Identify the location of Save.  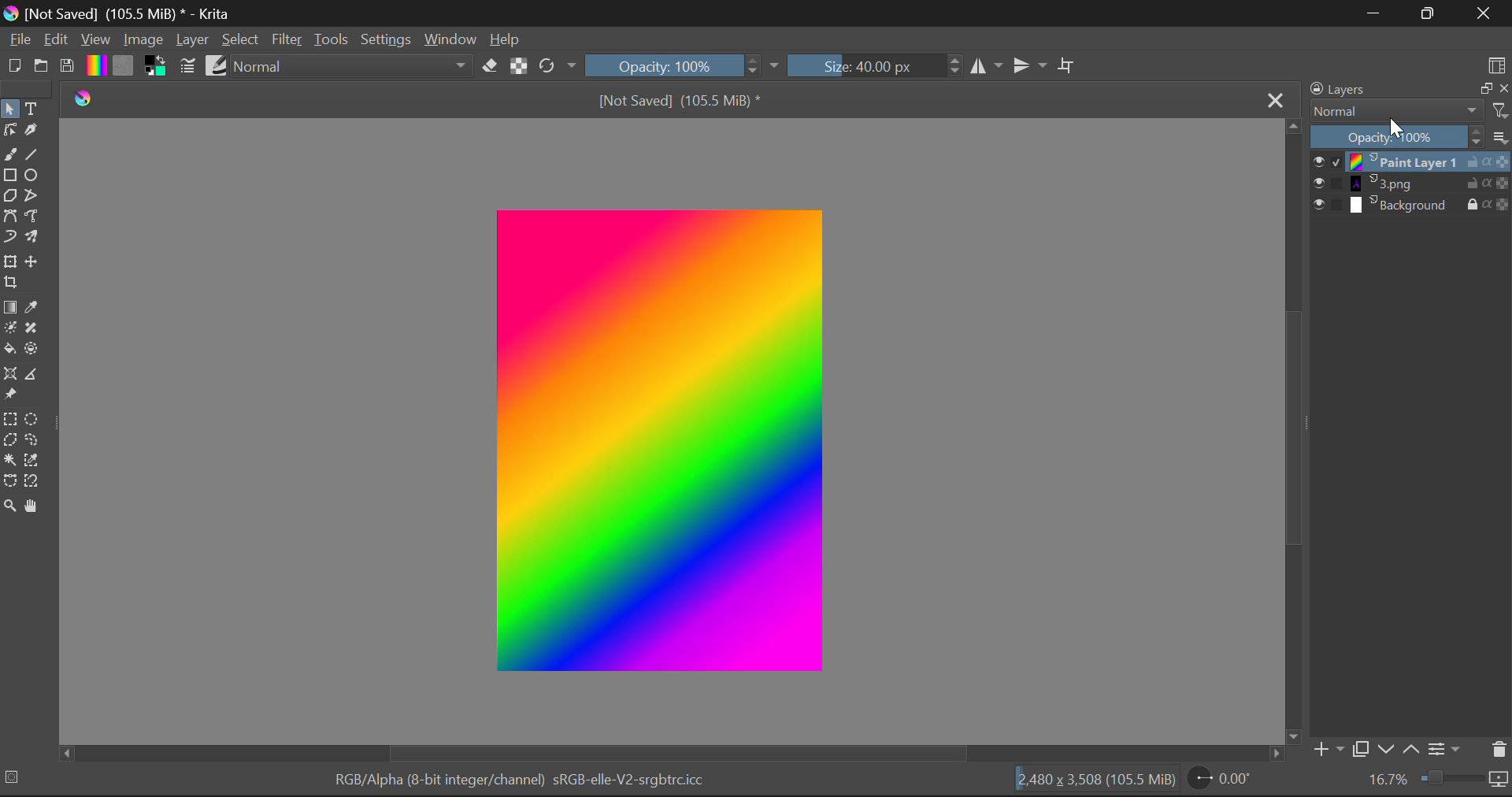
(68, 68).